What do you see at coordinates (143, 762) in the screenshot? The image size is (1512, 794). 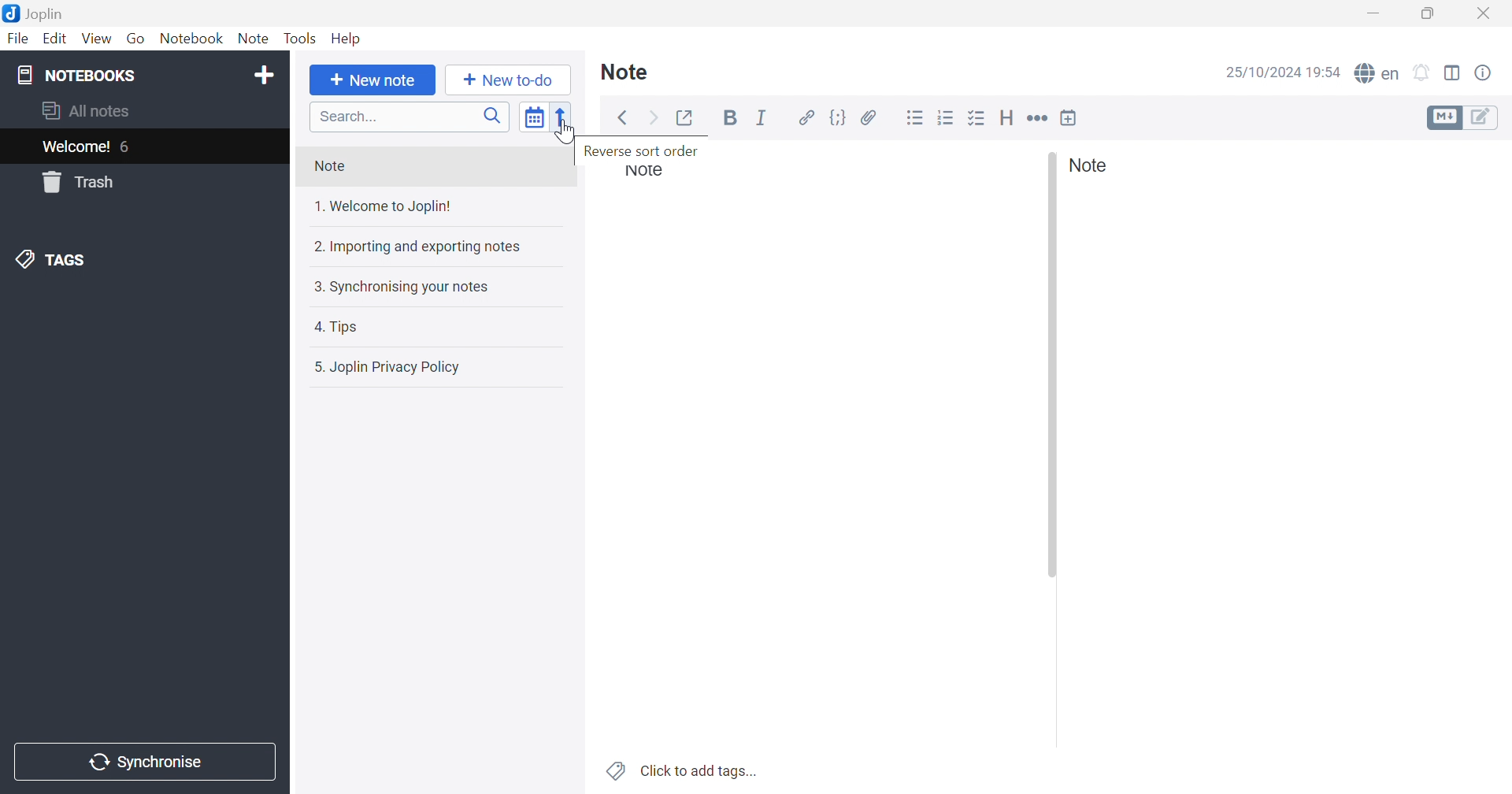 I see `Synchronise` at bounding box center [143, 762].